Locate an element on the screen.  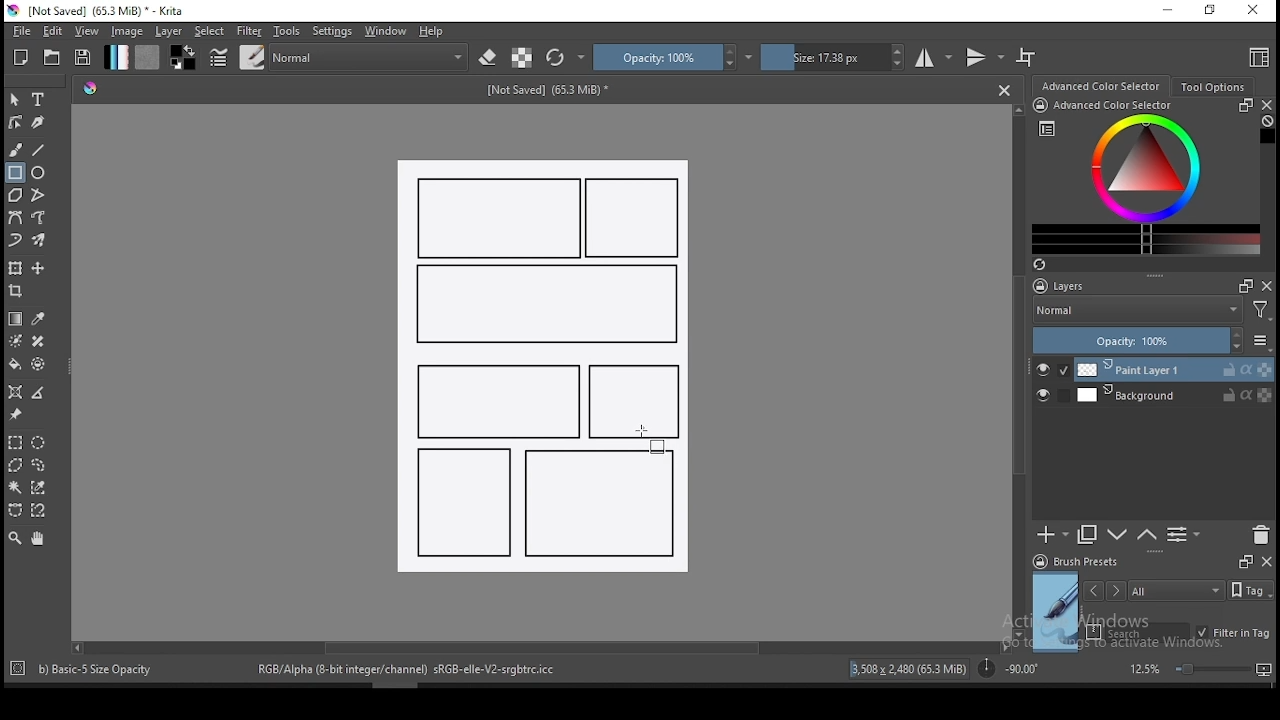
pan tool is located at coordinates (36, 539).